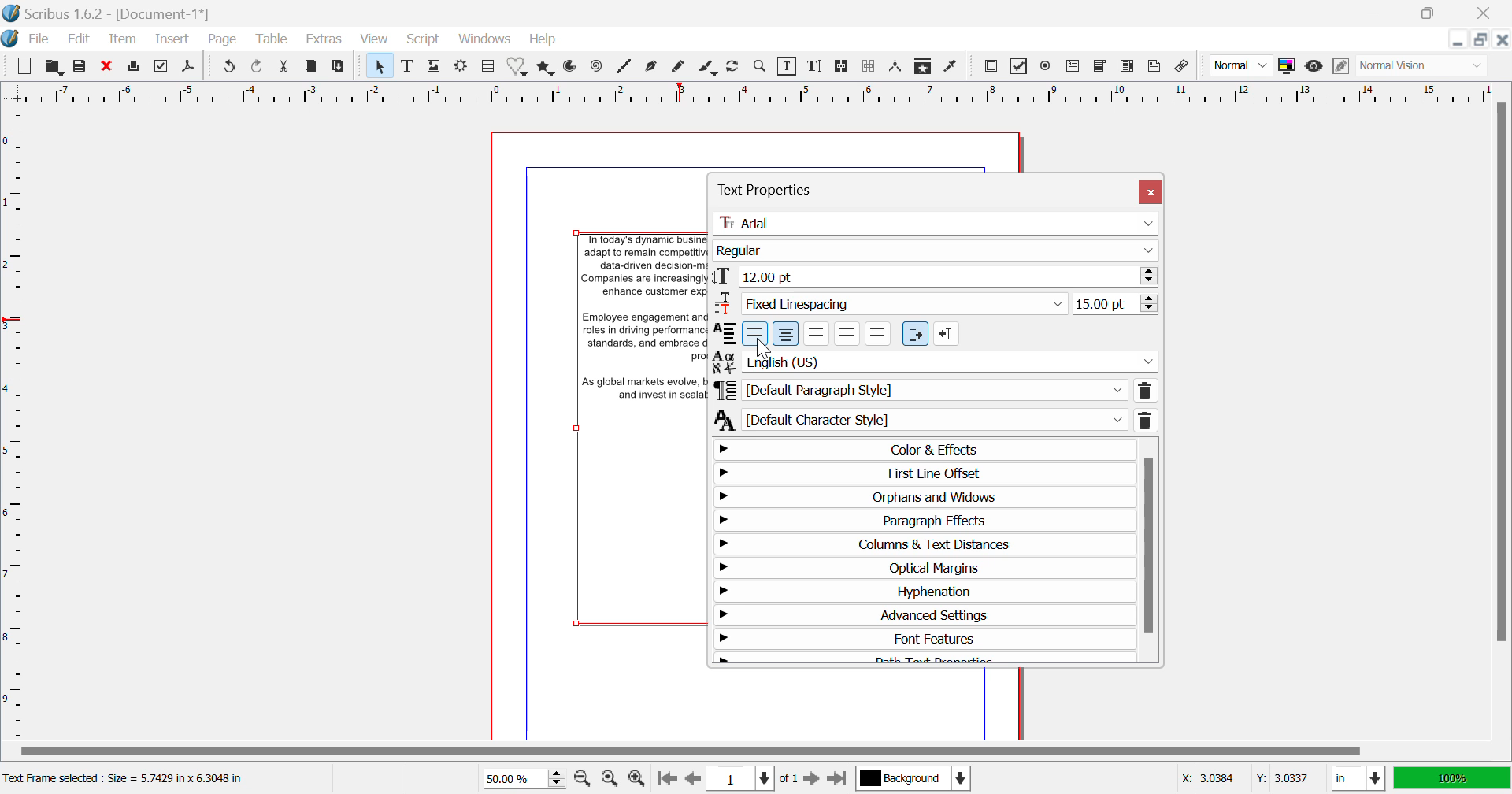 The width and height of the screenshot is (1512, 794). I want to click on Last Page, so click(838, 779).